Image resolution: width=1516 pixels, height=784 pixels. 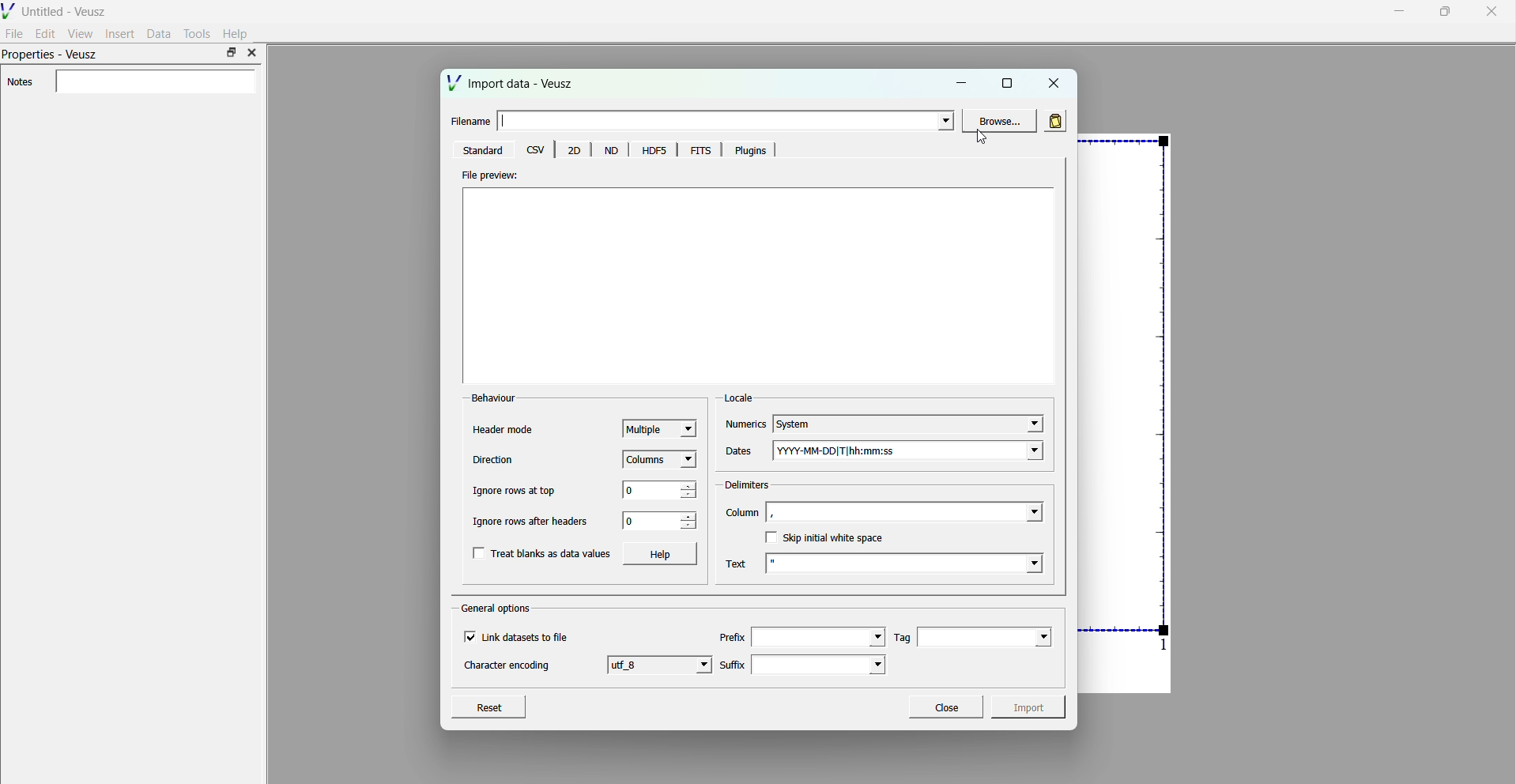 What do you see at coordinates (835, 538) in the screenshot?
I see `Skip initial white space` at bounding box center [835, 538].